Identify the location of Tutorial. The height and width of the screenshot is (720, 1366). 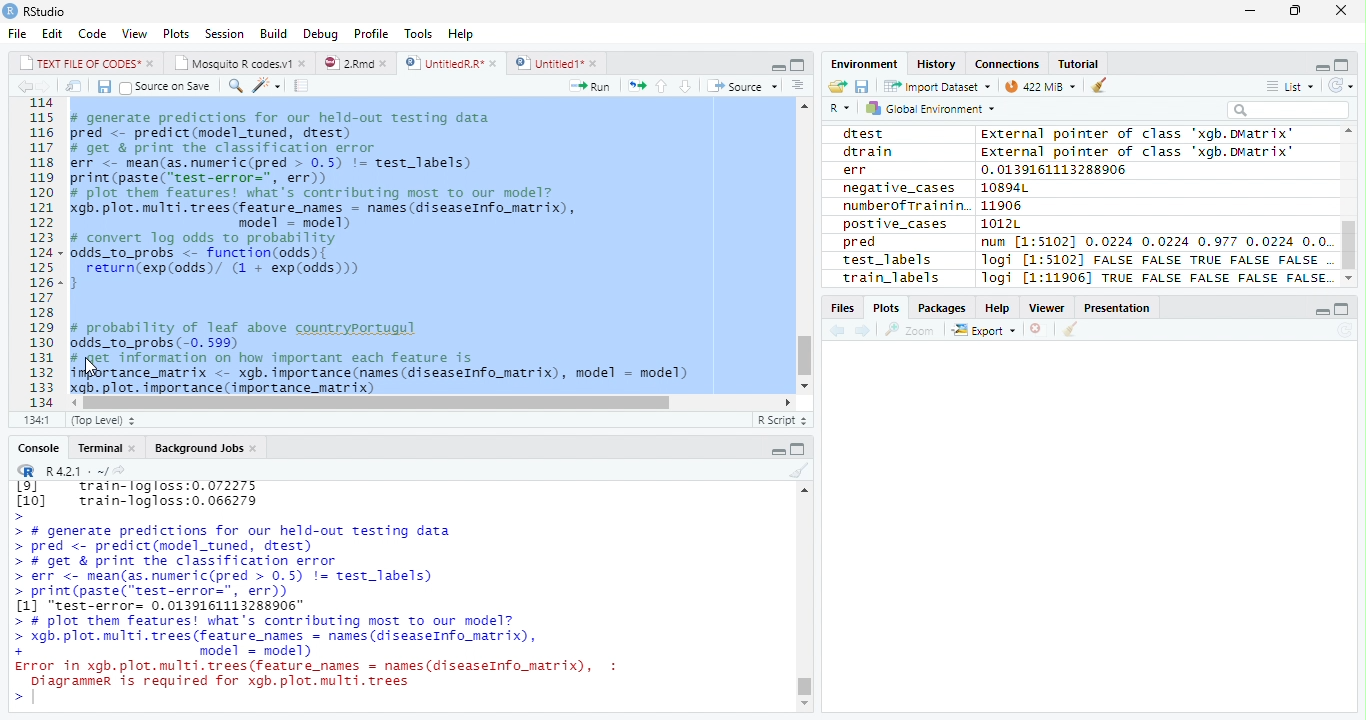
(1081, 63).